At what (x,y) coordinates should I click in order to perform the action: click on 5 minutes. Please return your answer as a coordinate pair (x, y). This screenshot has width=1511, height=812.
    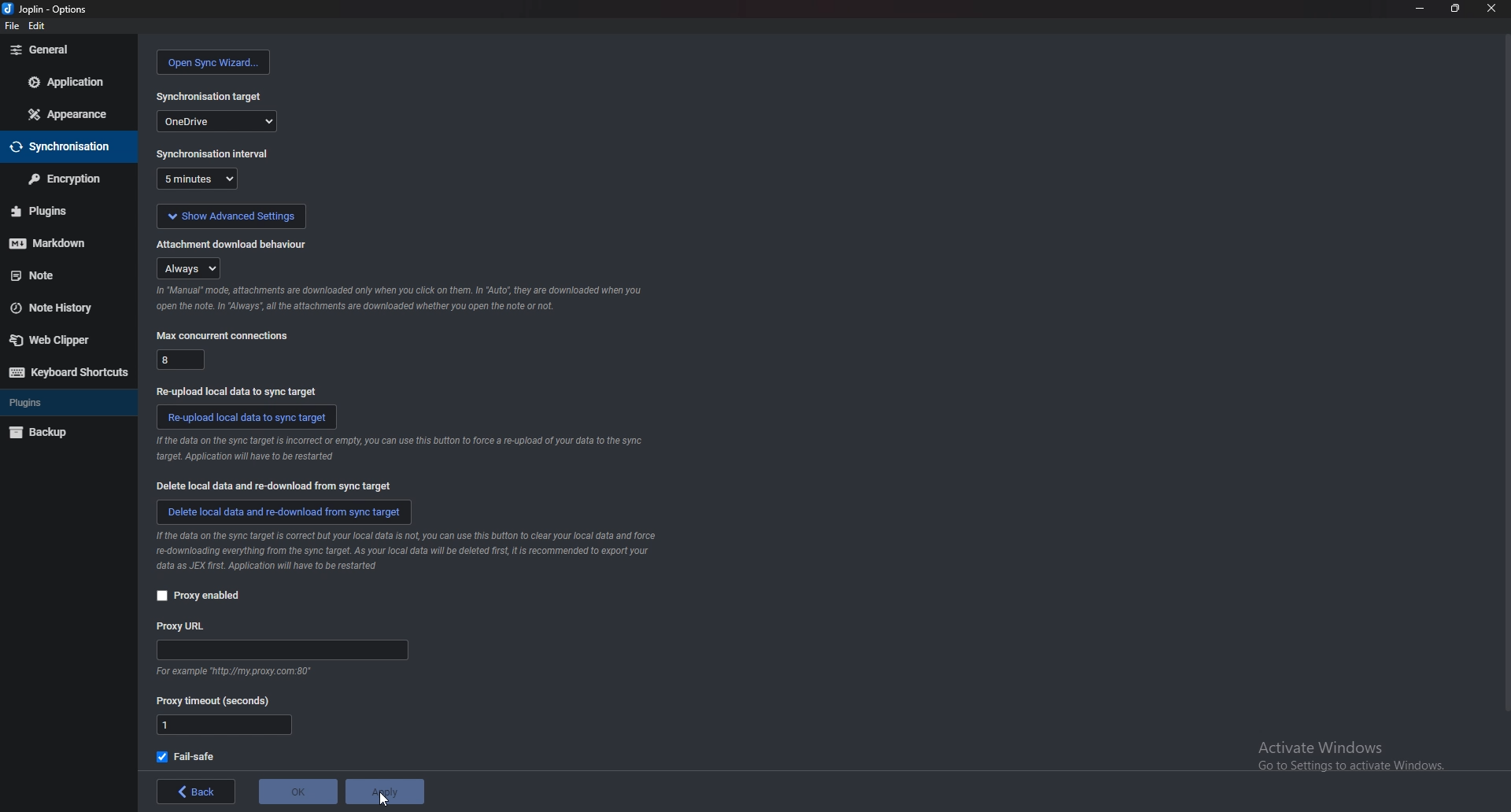
    Looking at the image, I should click on (200, 179).